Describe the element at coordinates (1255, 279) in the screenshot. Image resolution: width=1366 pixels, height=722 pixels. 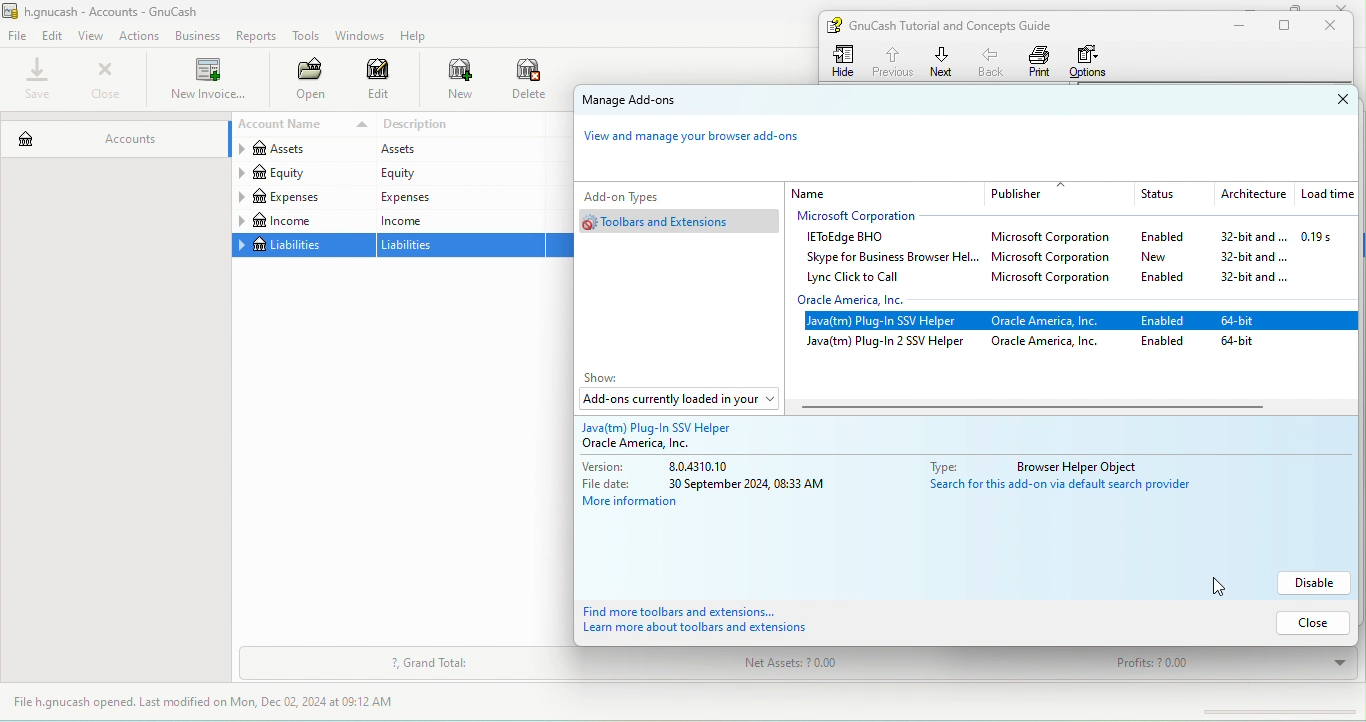
I see `32 bit and` at that location.